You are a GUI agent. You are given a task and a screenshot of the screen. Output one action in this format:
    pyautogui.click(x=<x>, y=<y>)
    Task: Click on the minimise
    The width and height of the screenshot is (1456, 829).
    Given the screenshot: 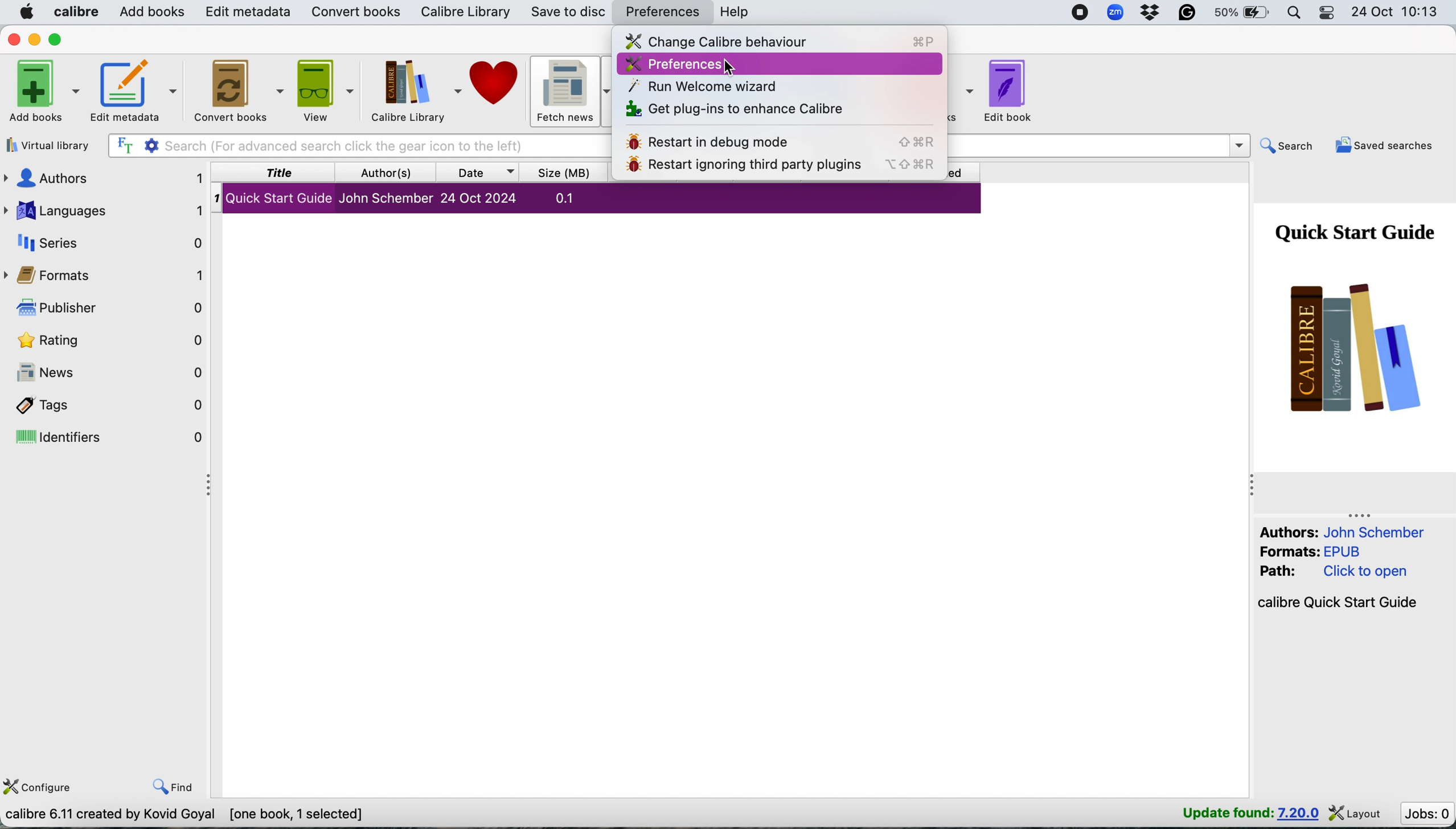 What is the action you would take?
    pyautogui.click(x=35, y=40)
    